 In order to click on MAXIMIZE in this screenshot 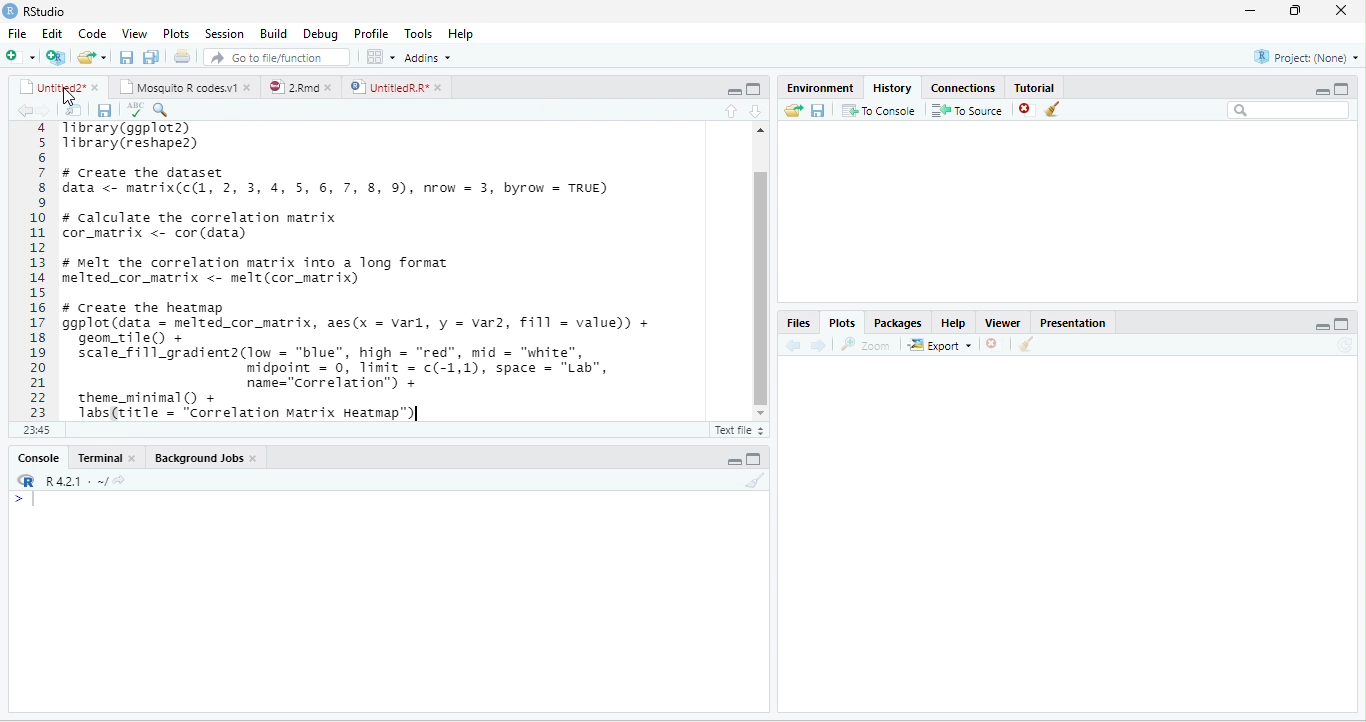, I will do `click(1349, 326)`.